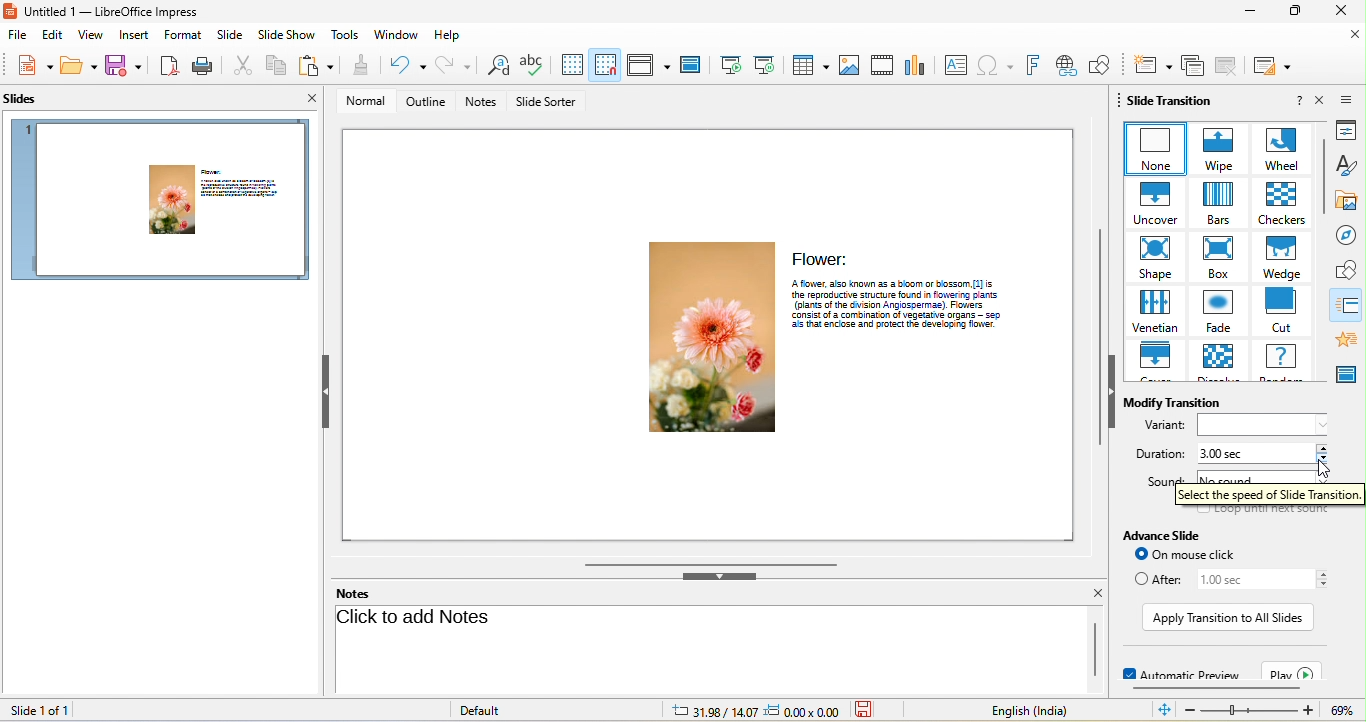  What do you see at coordinates (1215, 203) in the screenshot?
I see `bars` at bounding box center [1215, 203].